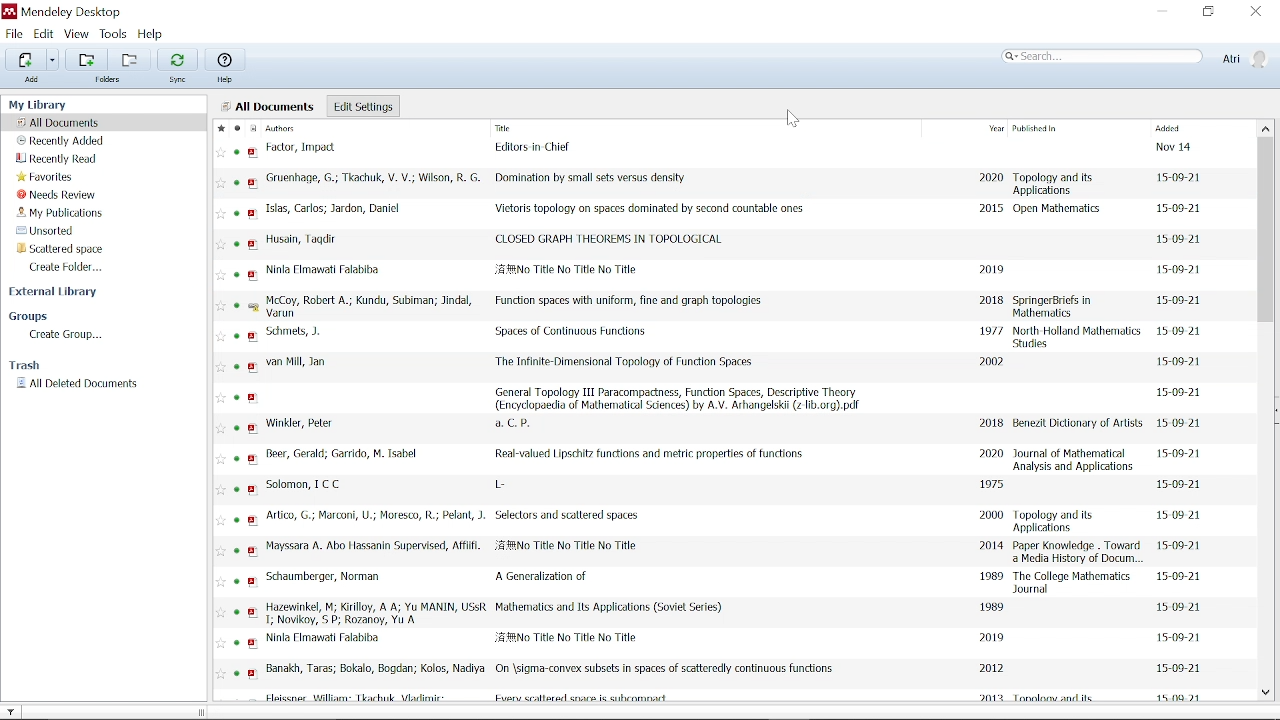  I want to click on Authors, so click(291, 129).